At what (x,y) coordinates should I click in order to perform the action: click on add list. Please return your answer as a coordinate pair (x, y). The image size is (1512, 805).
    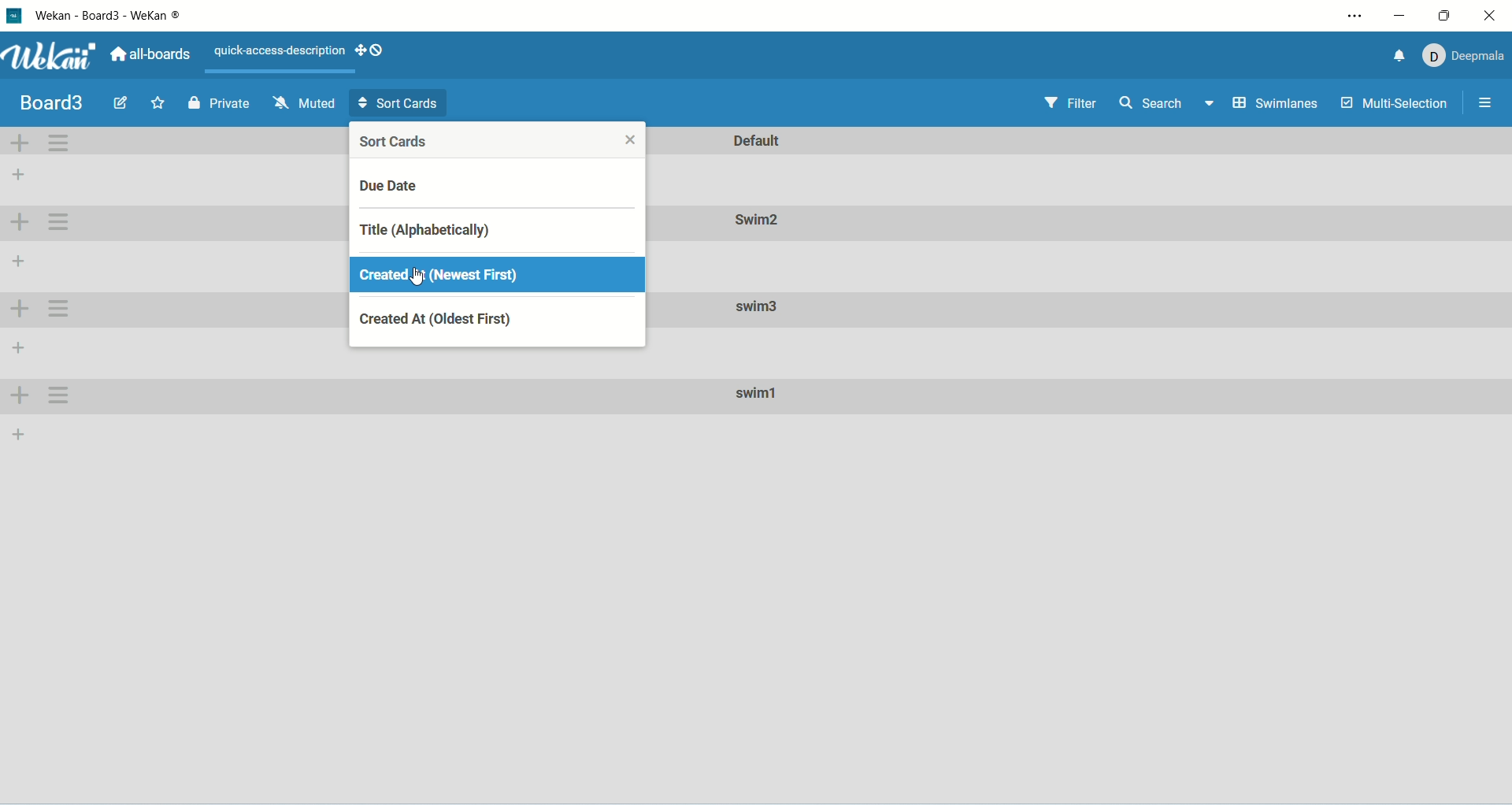
    Looking at the image, I should click on (20, 434).